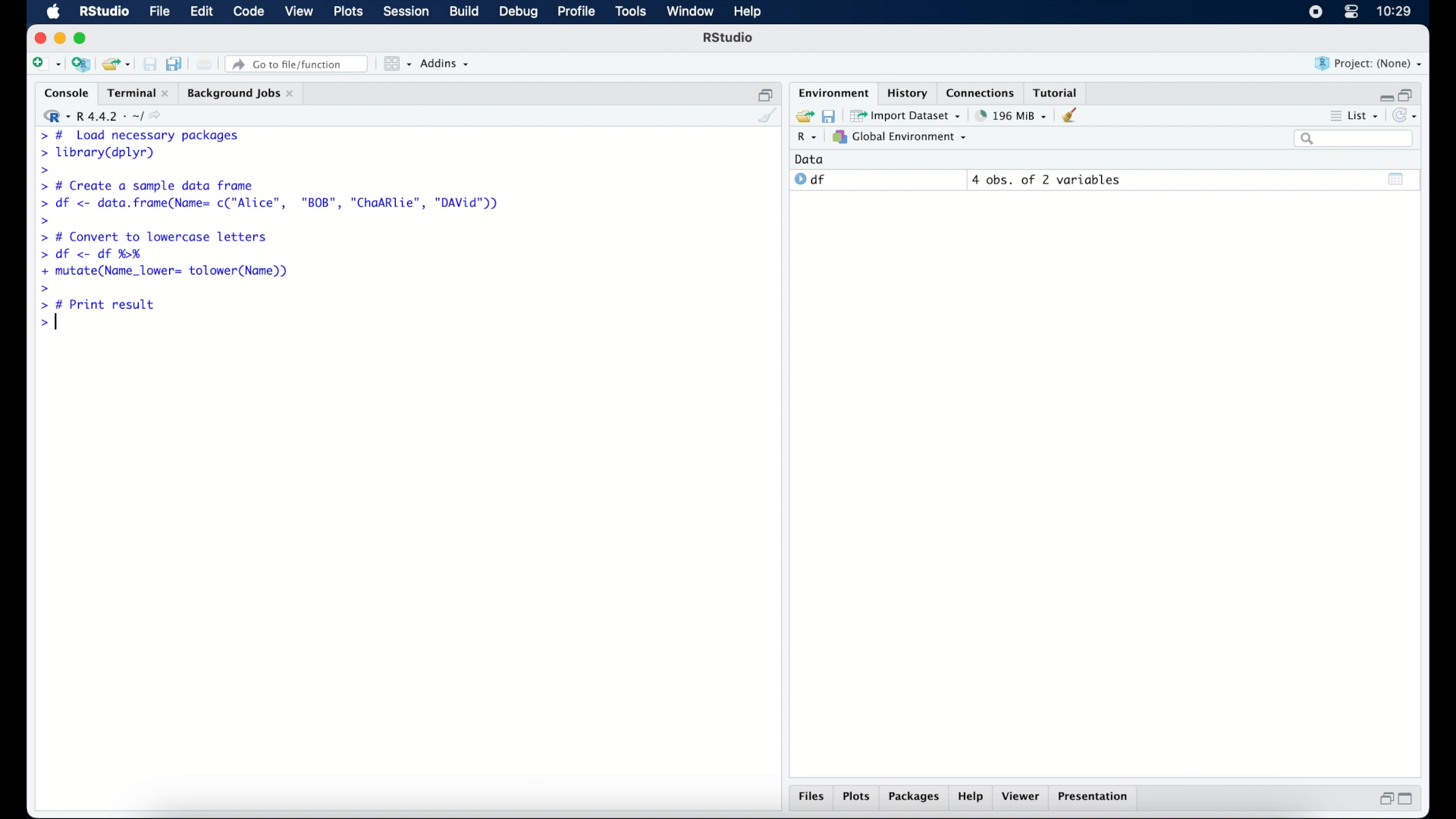 This screenshot has height=819, width=1456. Describe the element at coordinates (982, 92) in the screenshot. I see `connections` at that location.